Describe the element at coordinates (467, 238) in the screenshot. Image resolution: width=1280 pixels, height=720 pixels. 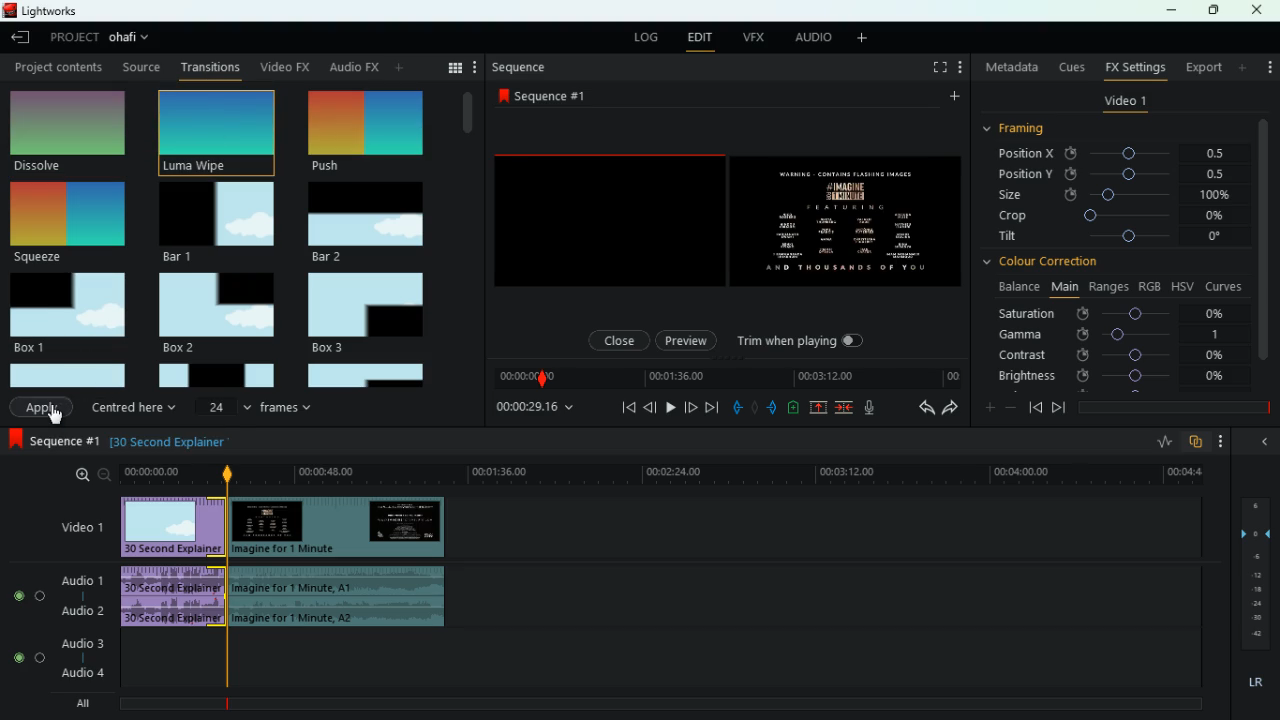
I see `vertical scroll bar` at that location.